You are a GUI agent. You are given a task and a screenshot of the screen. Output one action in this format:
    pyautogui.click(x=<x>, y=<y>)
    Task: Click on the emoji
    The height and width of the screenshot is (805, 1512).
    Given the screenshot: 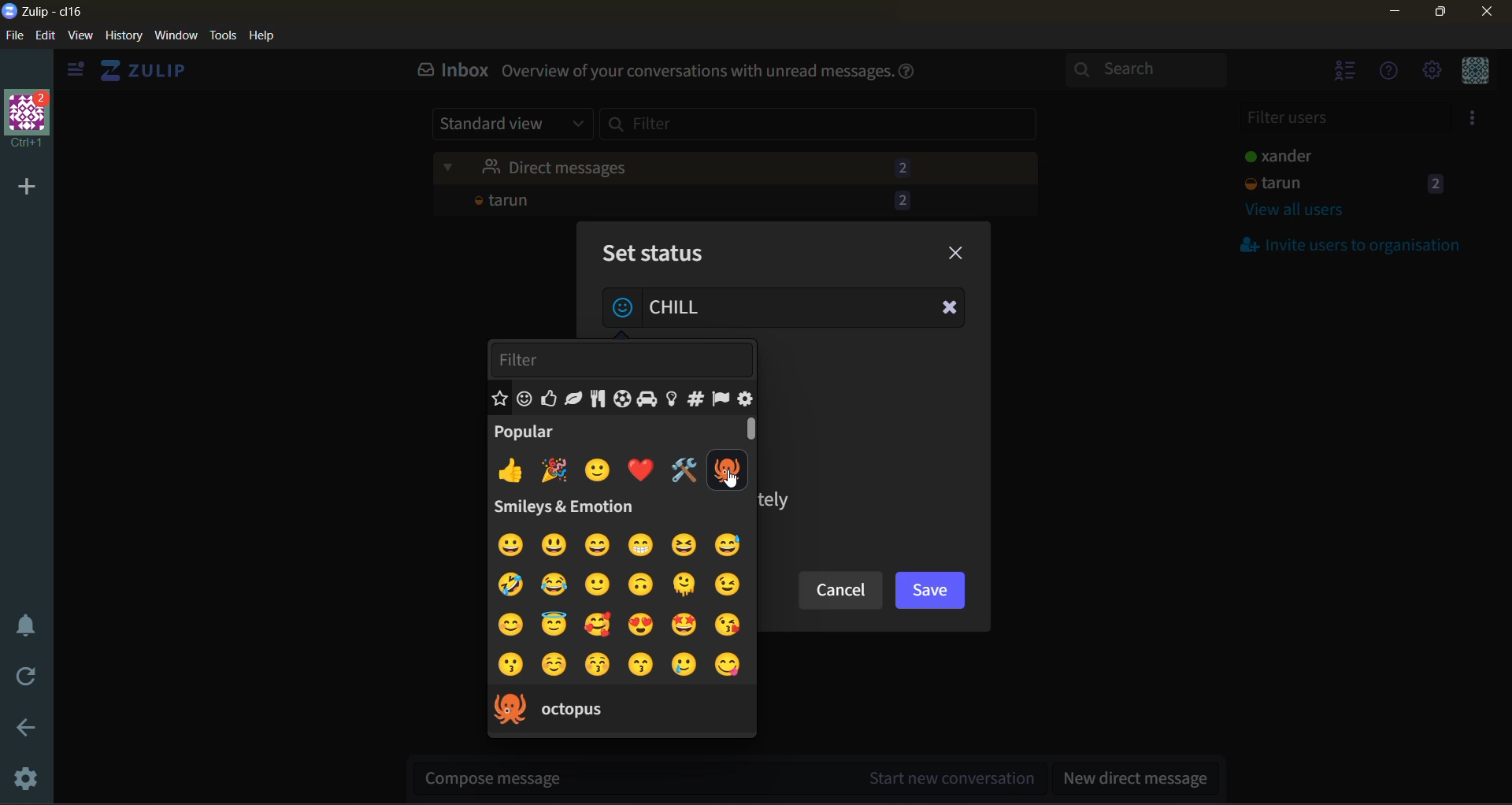 What is the action you would take?
    pyautogui.click(x=730, y=584)
    